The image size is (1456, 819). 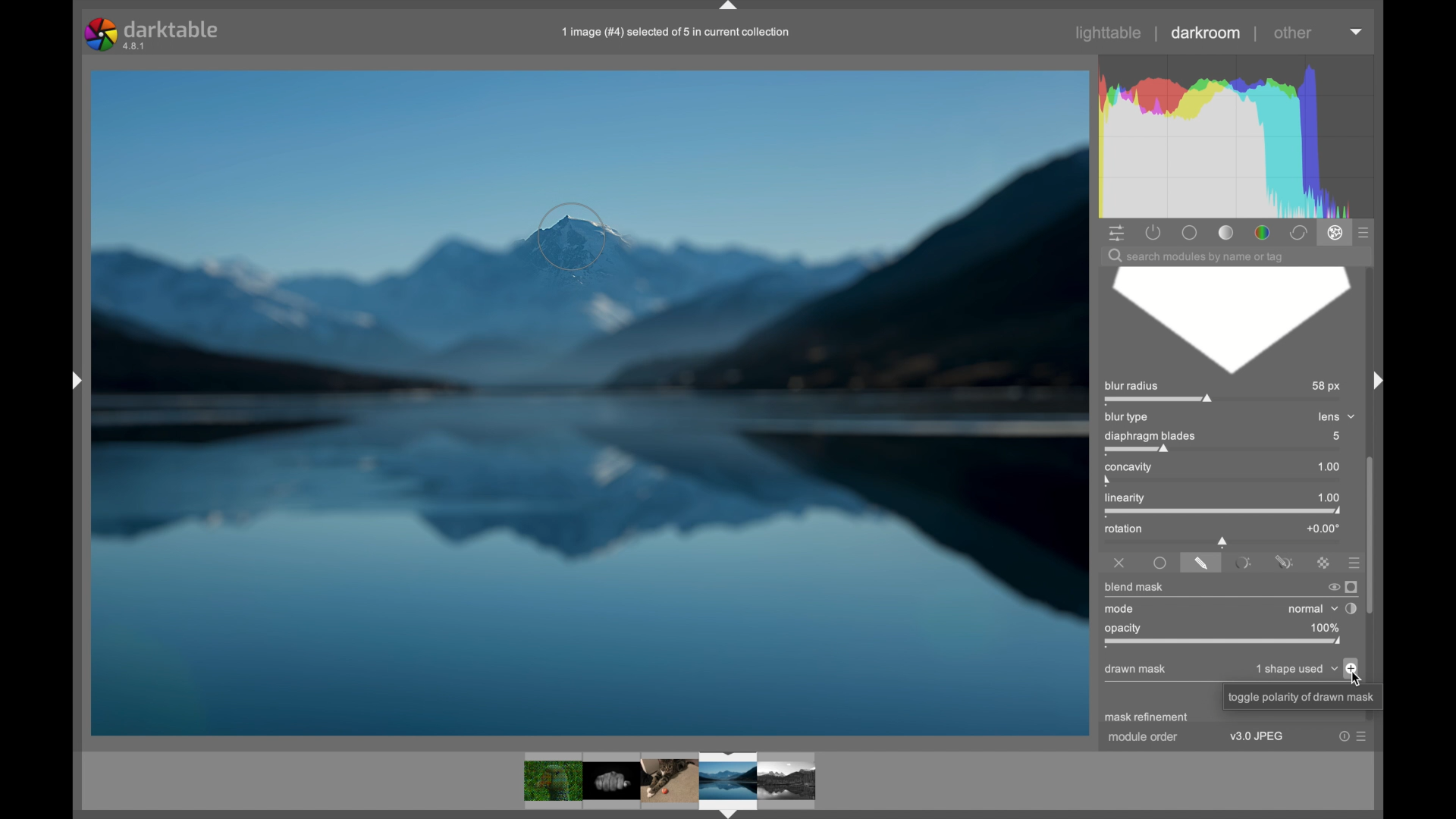 I want to click on 1.00, so click(x=1330, y=497).